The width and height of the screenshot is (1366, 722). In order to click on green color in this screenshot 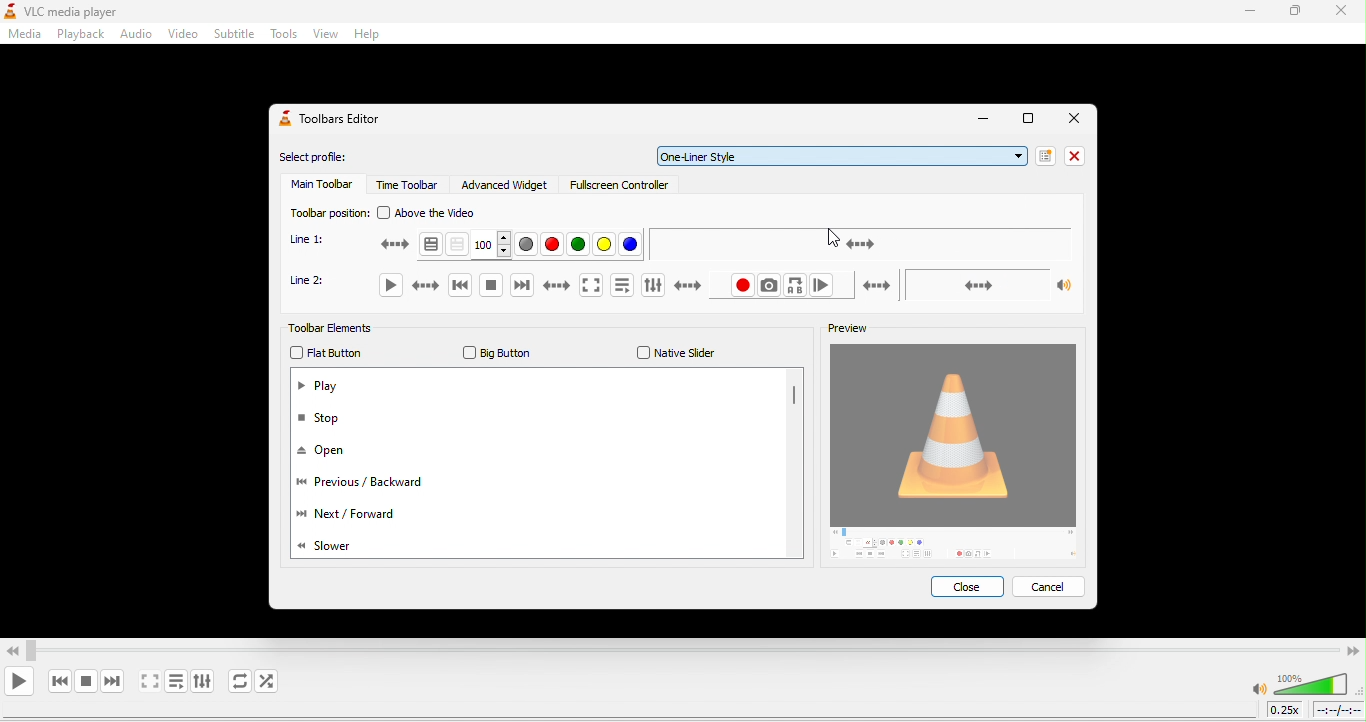, I will do `click(578, 245)`.